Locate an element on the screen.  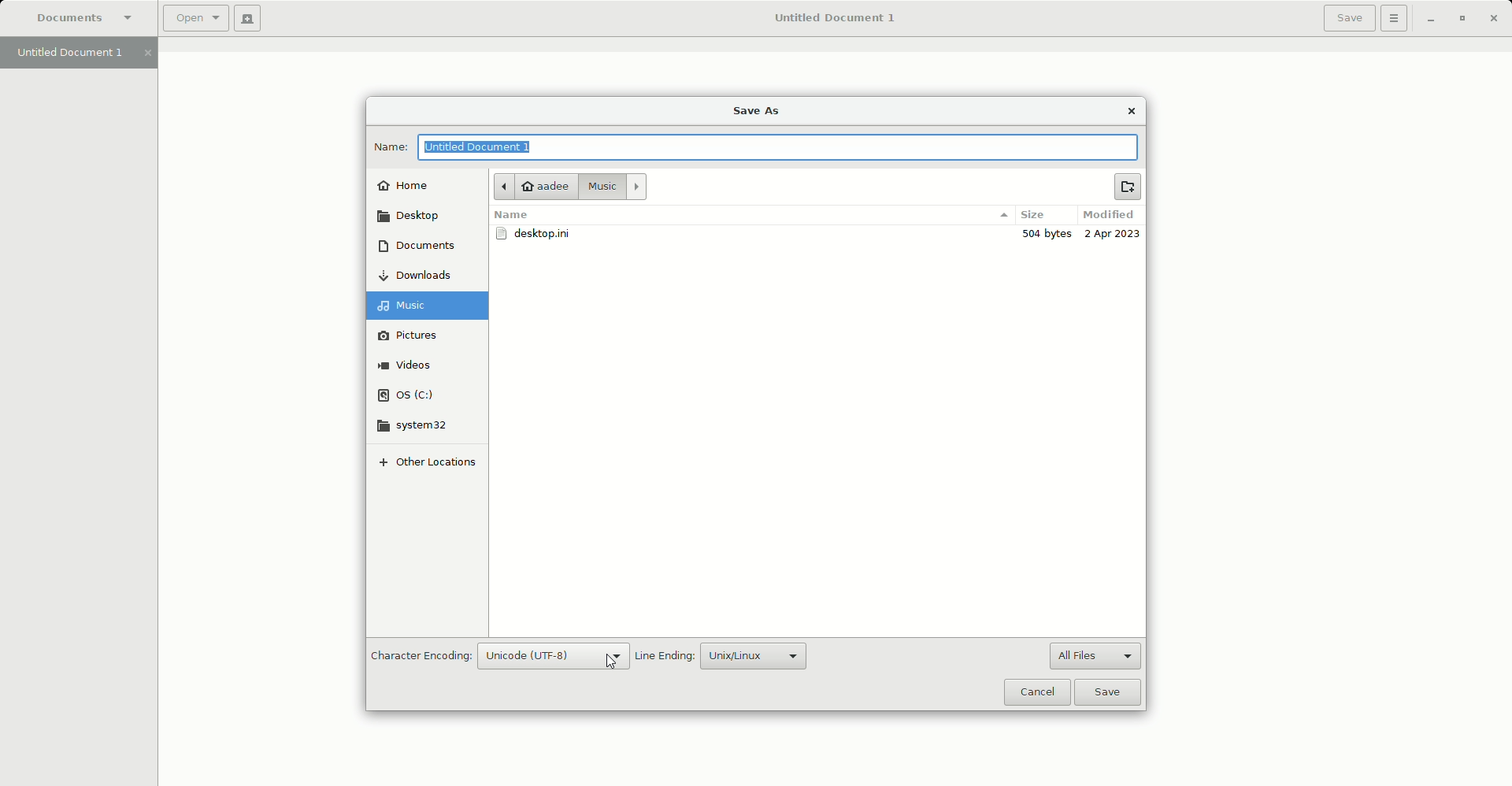
Name is located at coordinates (513, 215).